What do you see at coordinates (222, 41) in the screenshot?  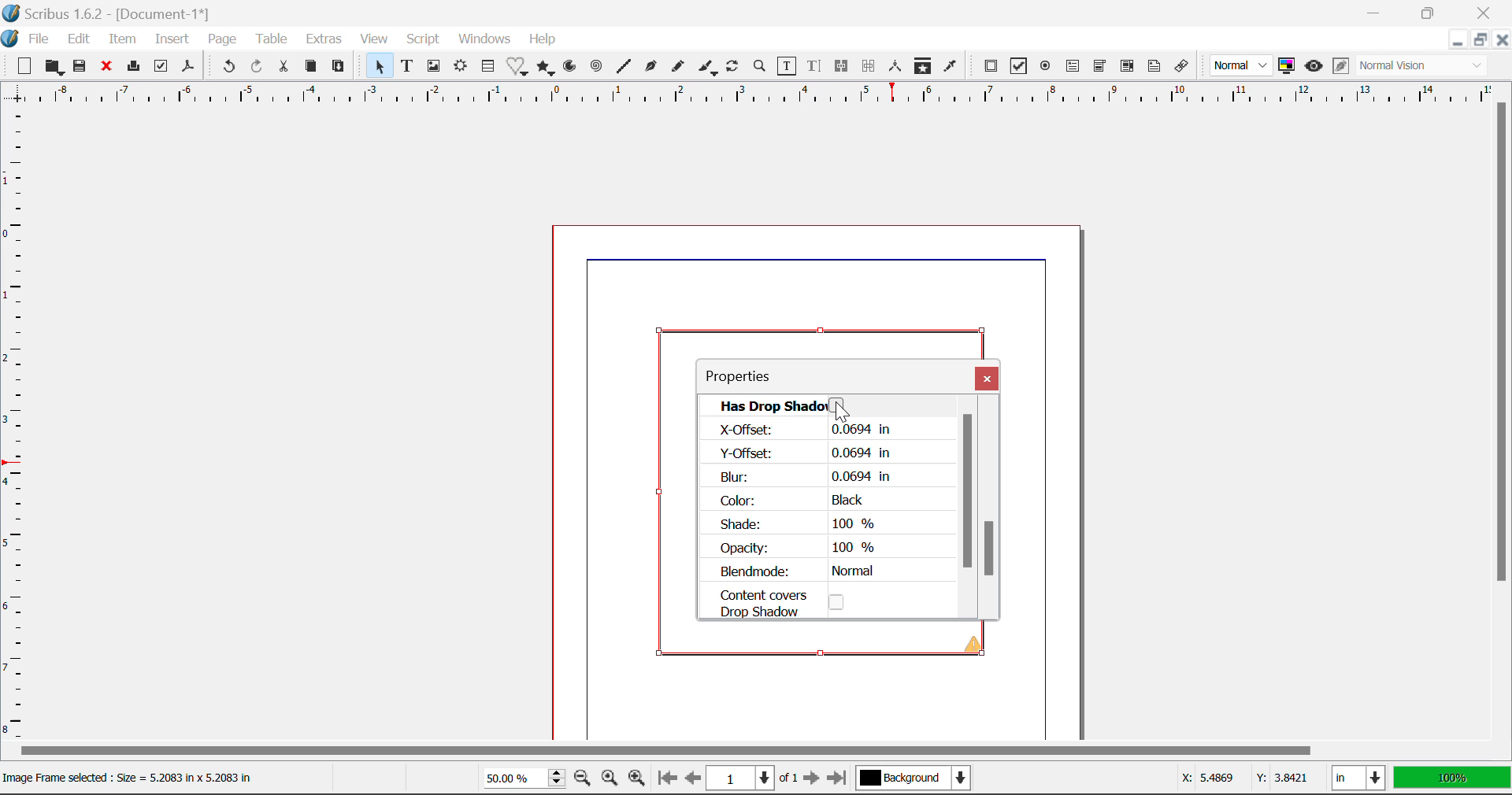 I see `Page` at bounding box center [222, 41].